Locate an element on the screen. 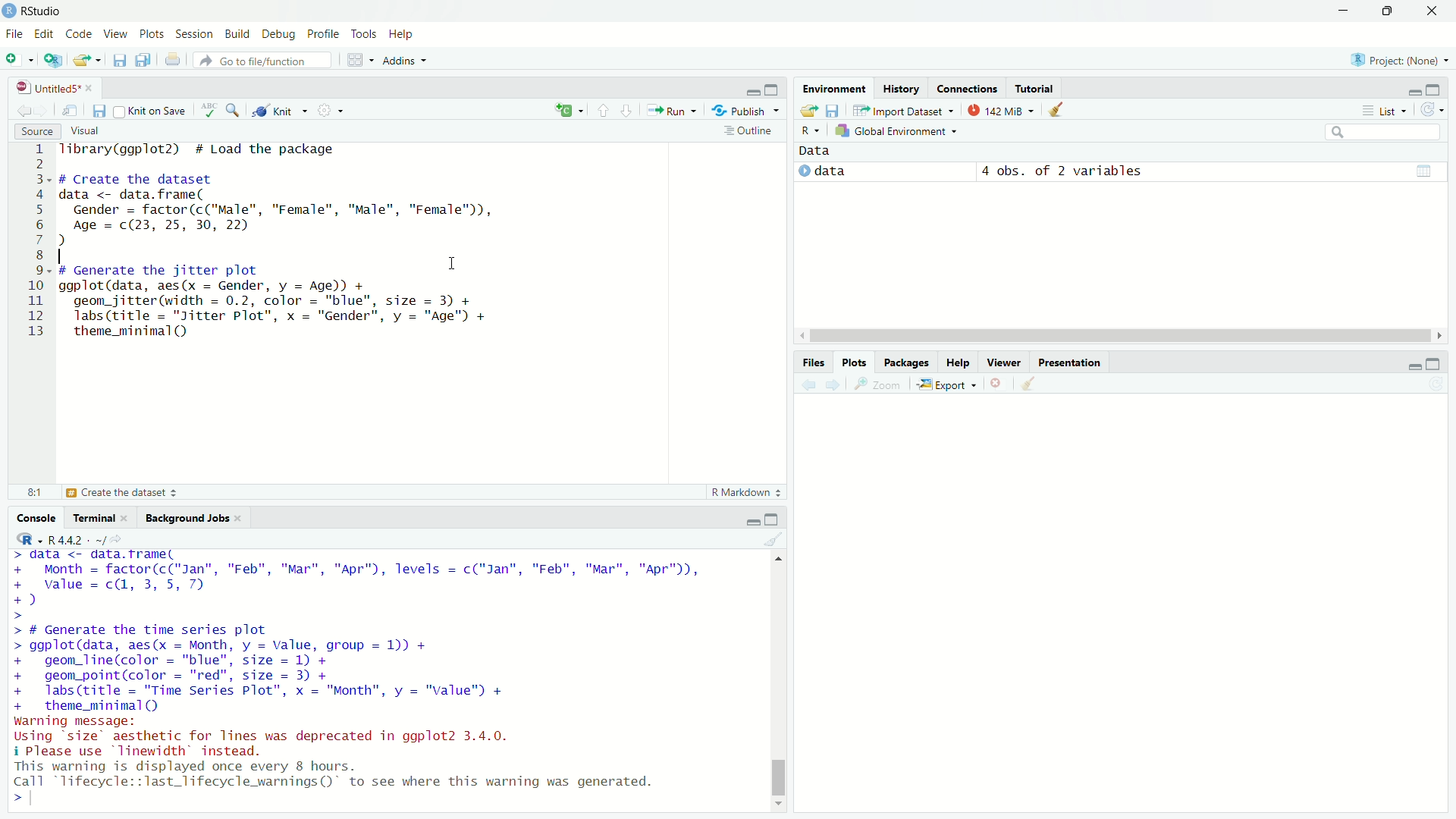 Image resolution: width=1456 pixels, height=819 pixels. RStudio is located at coordinates (48, 11).